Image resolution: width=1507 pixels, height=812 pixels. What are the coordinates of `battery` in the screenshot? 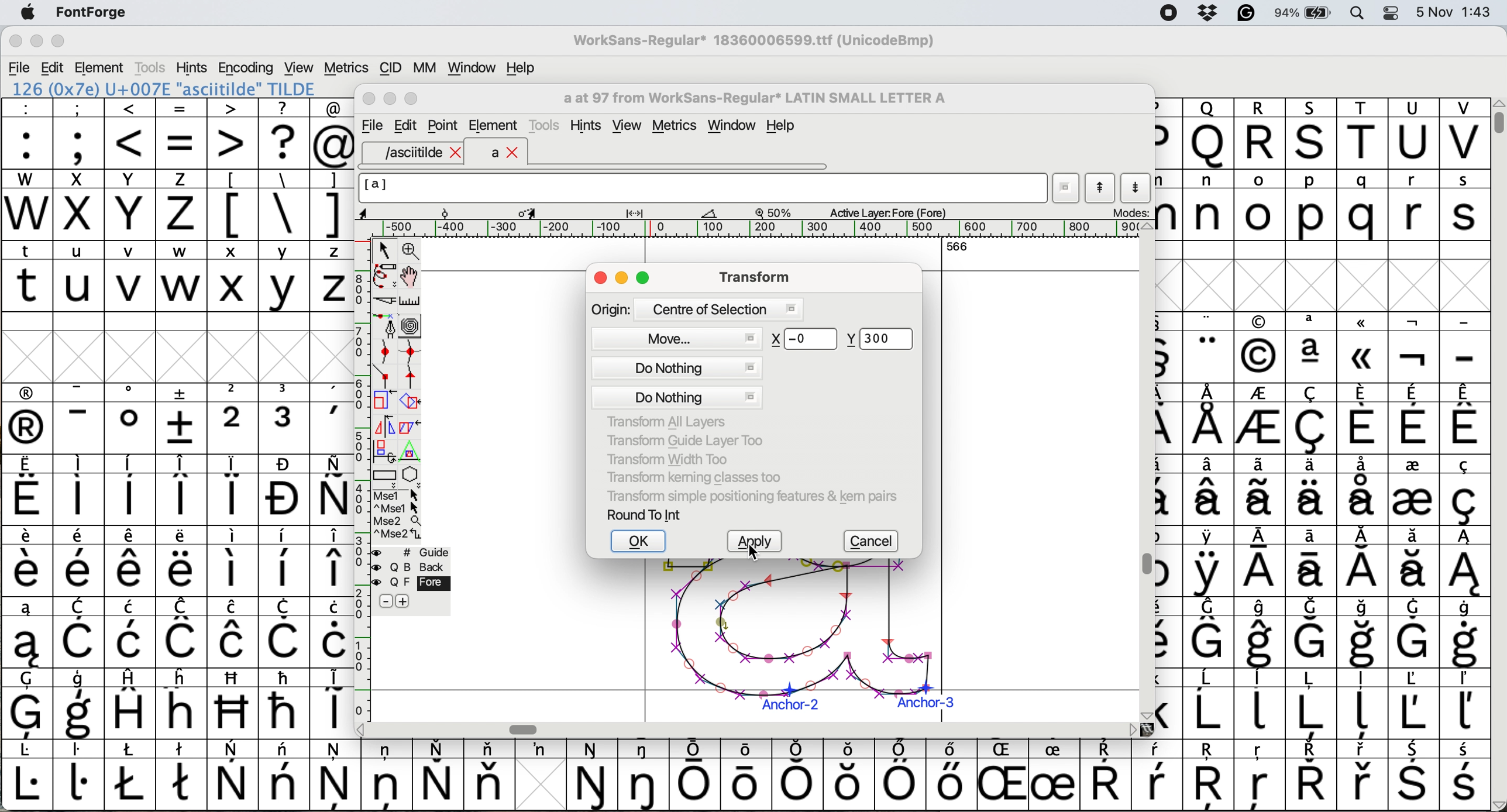 It's located at (1308, 12).